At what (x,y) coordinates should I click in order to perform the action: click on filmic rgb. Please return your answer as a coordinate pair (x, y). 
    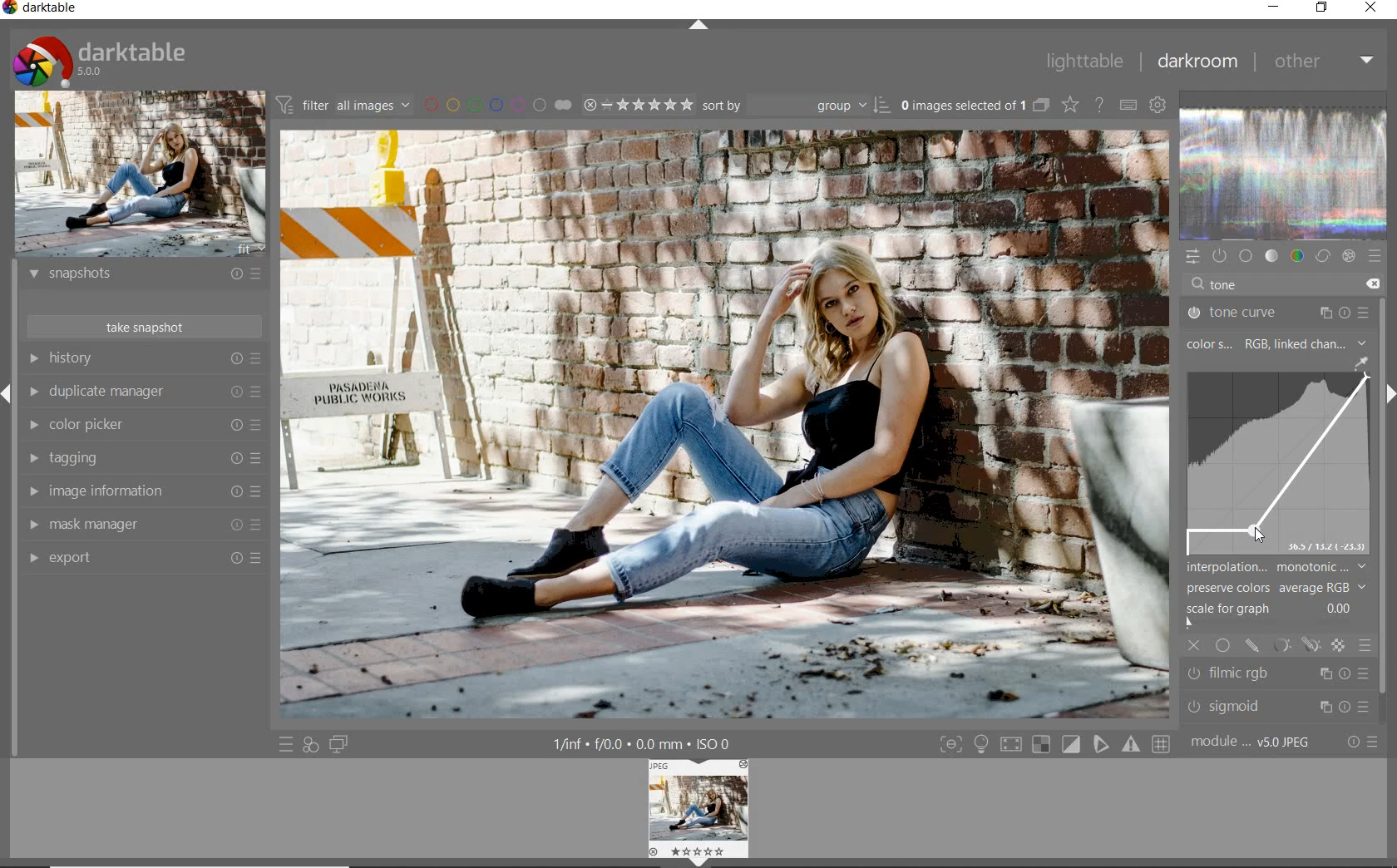
    Looking at the image, I should click on (1278, 674).